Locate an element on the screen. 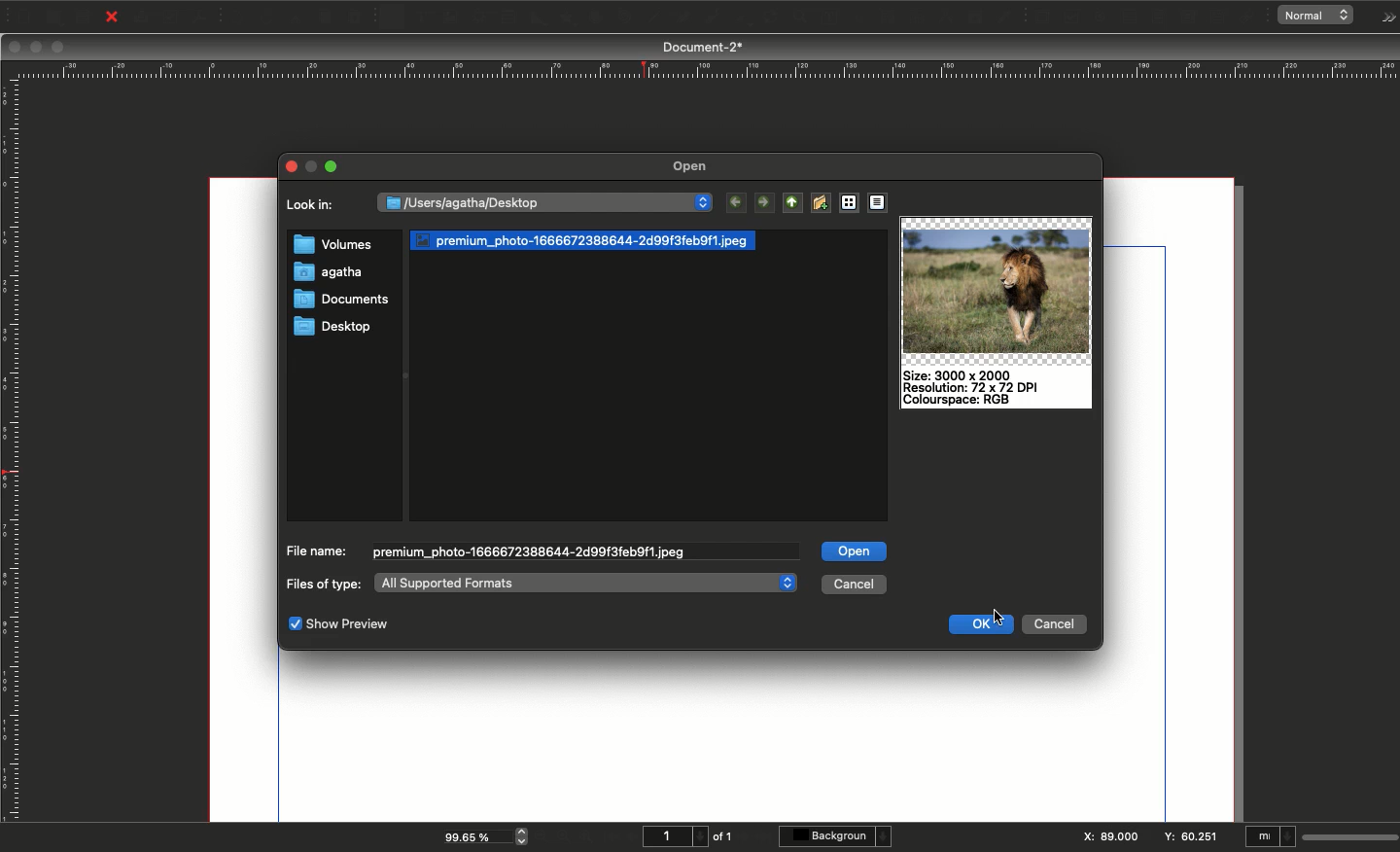  Cancel is located at coordinates (1052, 626).